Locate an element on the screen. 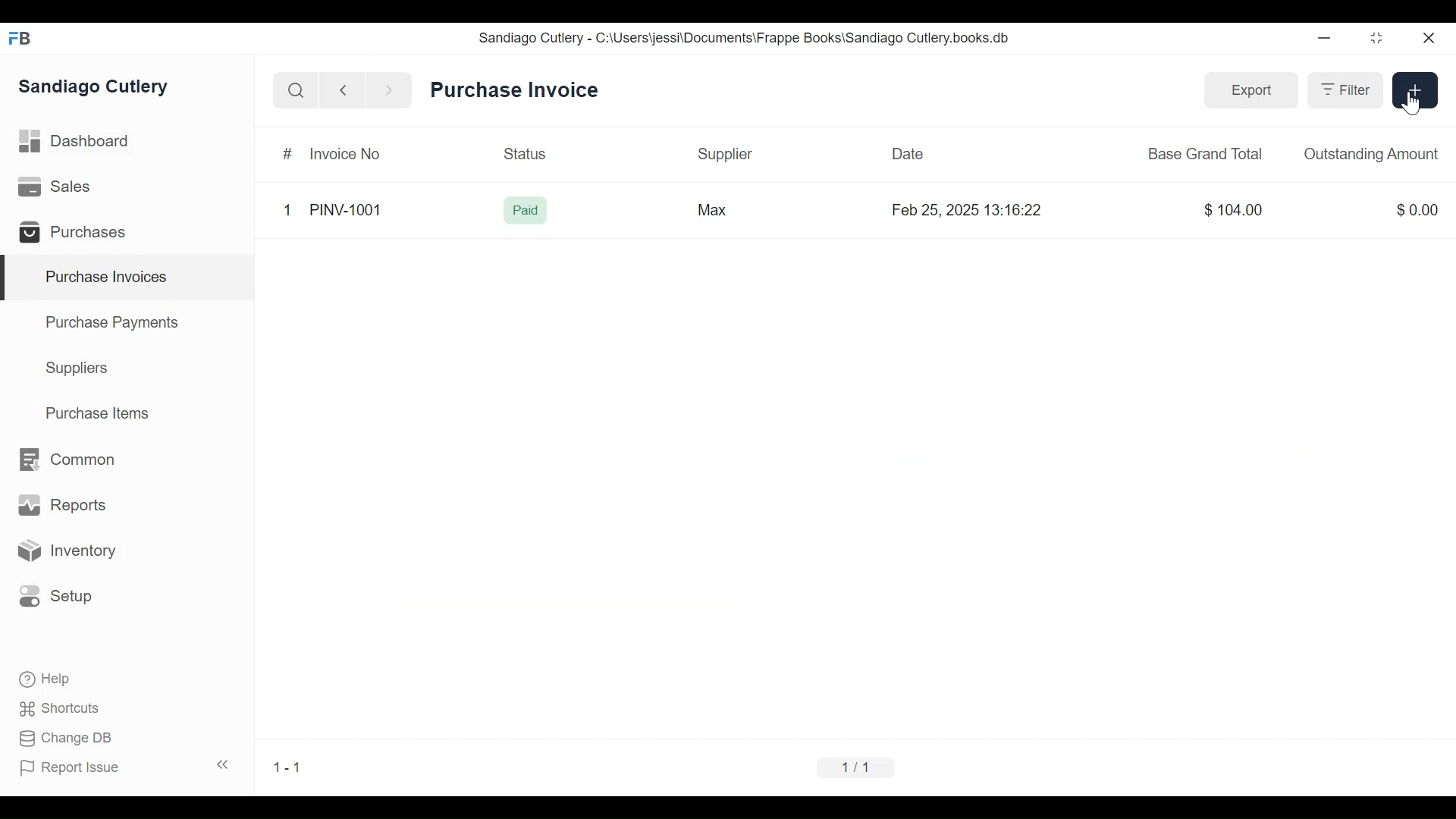 The width and height of the screenshot is (1456, 819). Filter is located at coordinates (1345, 91).